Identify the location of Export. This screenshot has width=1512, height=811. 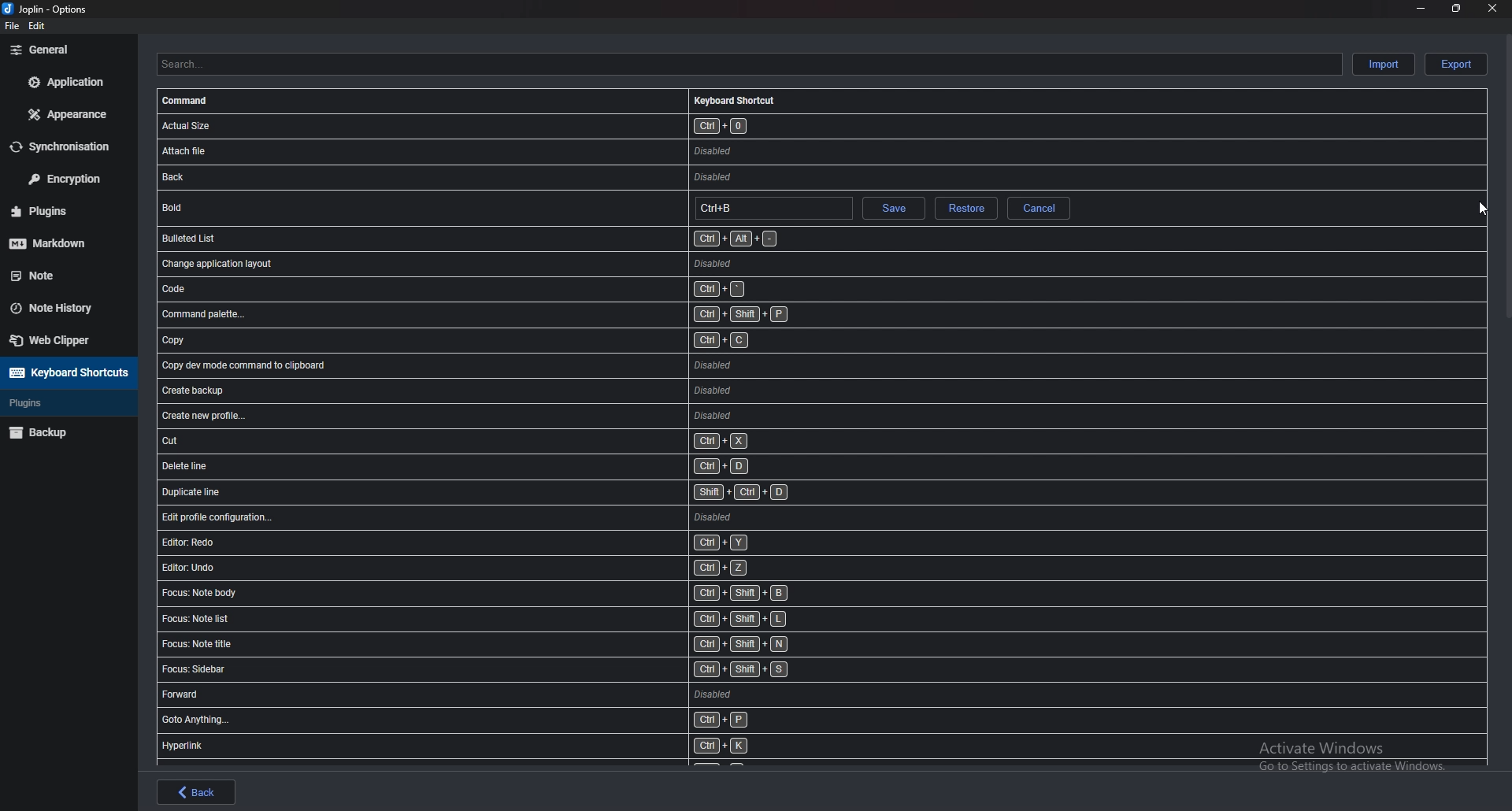
(1458, 65).